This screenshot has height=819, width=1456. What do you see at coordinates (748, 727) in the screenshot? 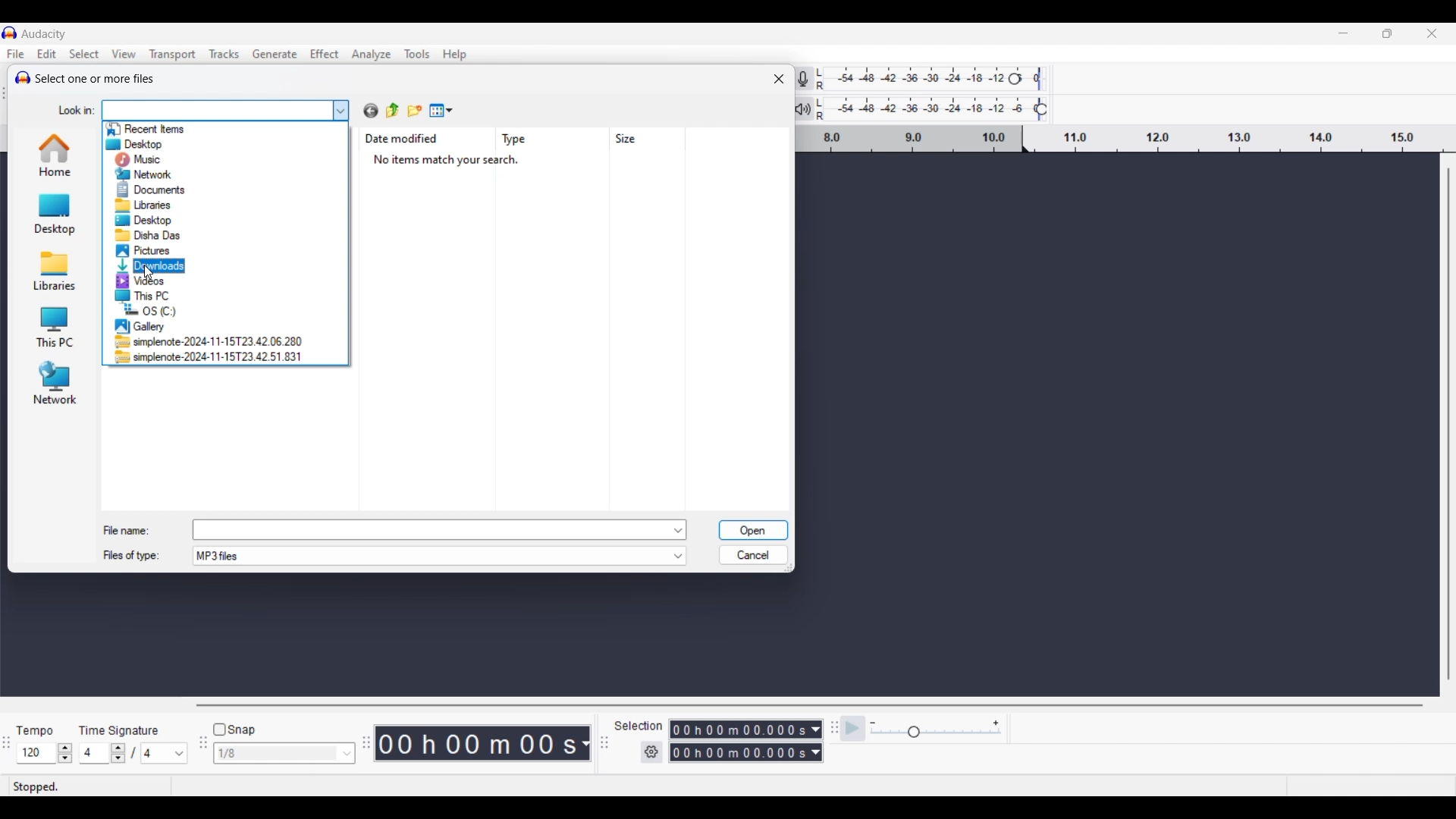
I see `00h00m00.000s` at bounding box center [748, 727].